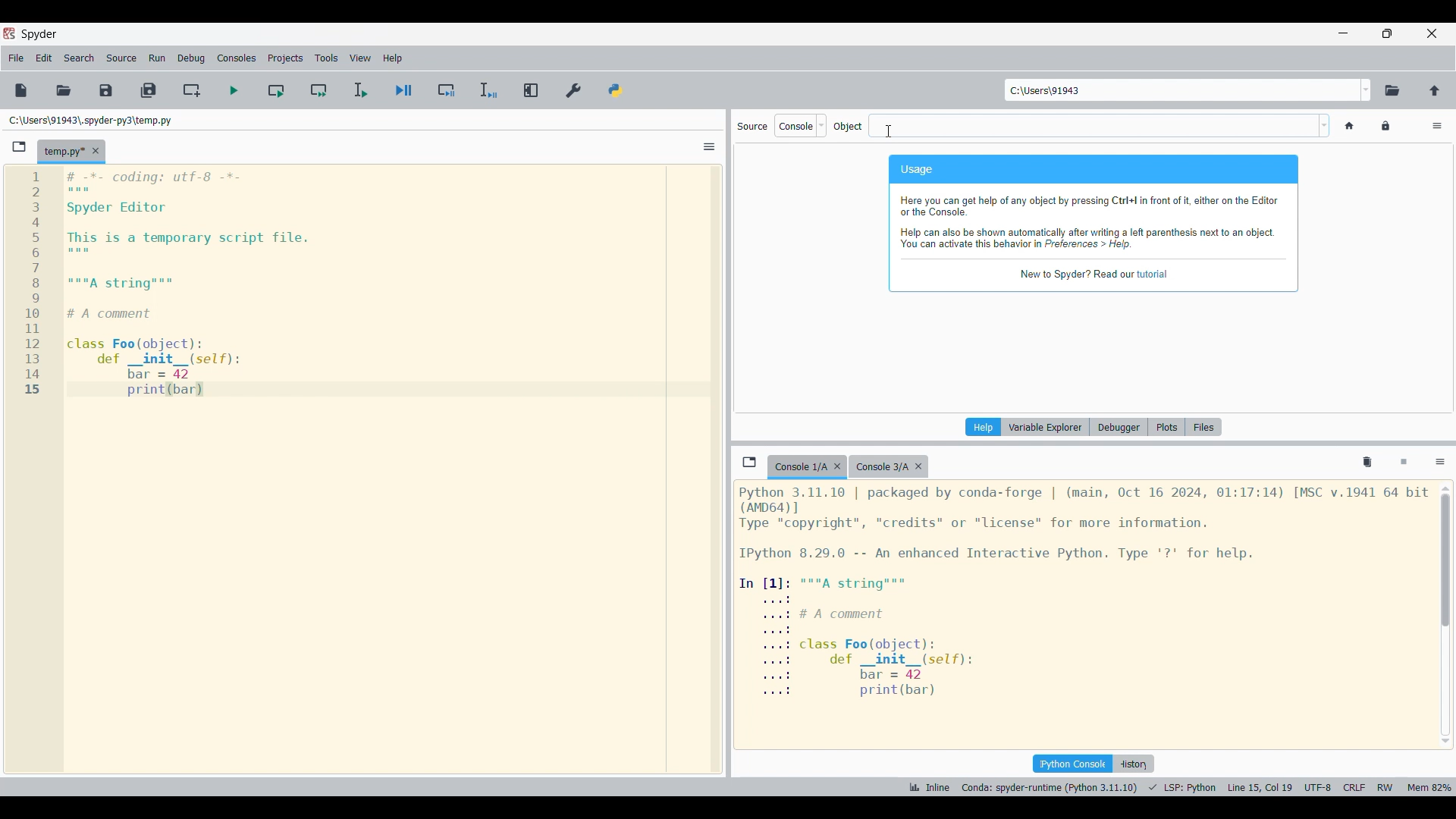 This screenshot has height=819, width=1456. Describe the element at coordinates (105, 91) in the screenshot. I see `Save file` at that location.